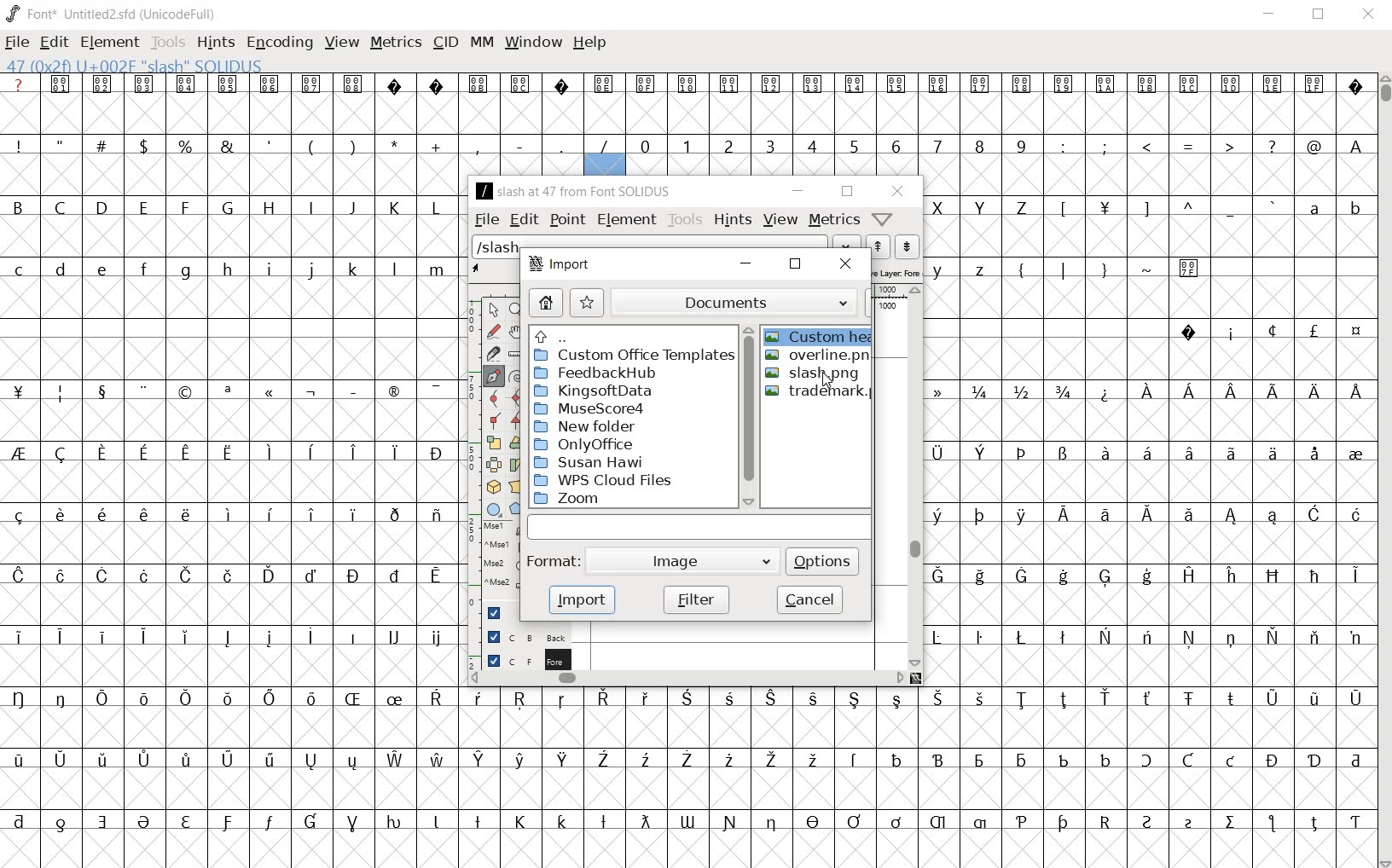 Image resolution: width=1392 pixels, height=868 pixels. Describe the element at coordinates (520, 658) in the screenshot. I see `foreground` at that location.